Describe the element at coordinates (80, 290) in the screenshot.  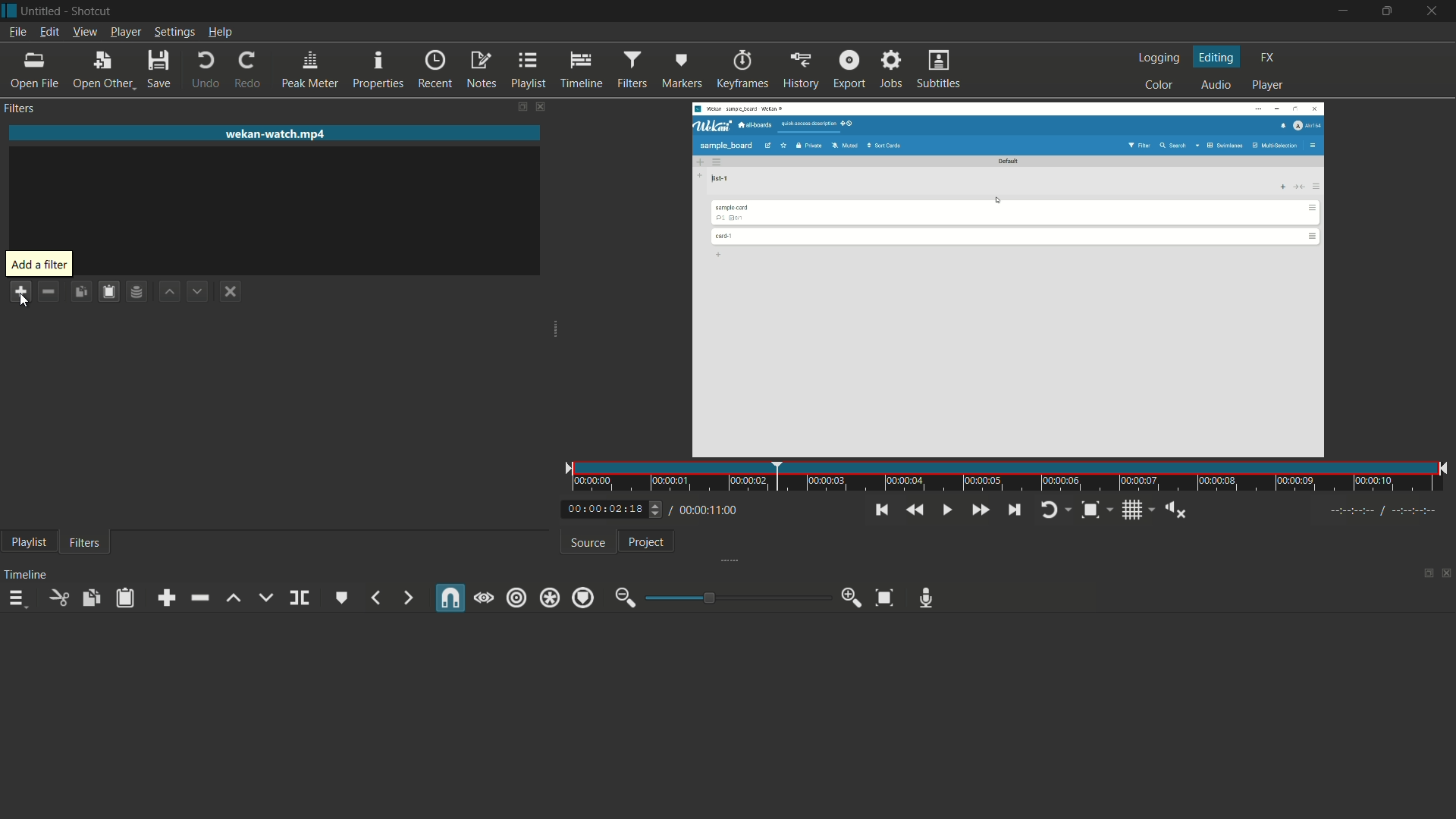
I see `copy checked filter` at that location.